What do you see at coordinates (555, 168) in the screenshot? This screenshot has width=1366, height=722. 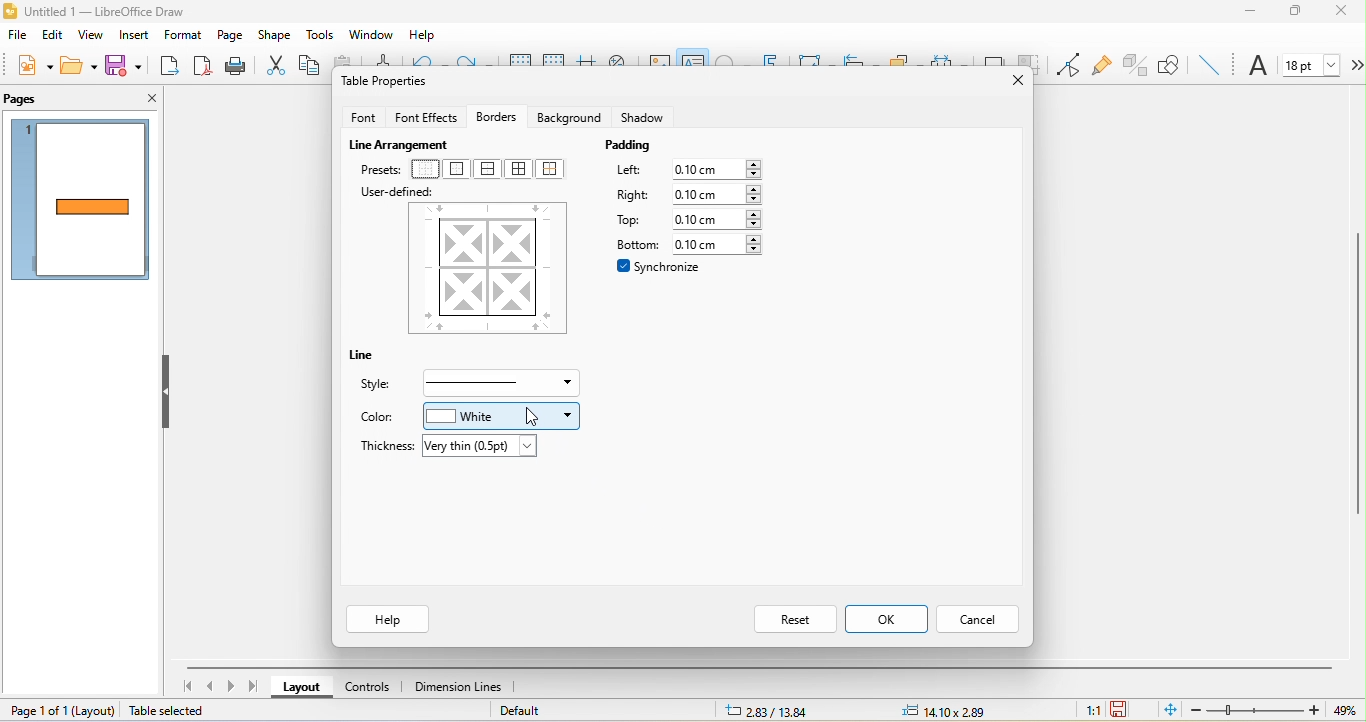 I see `outer border without changing inner line` at bounding box center [555, 168].